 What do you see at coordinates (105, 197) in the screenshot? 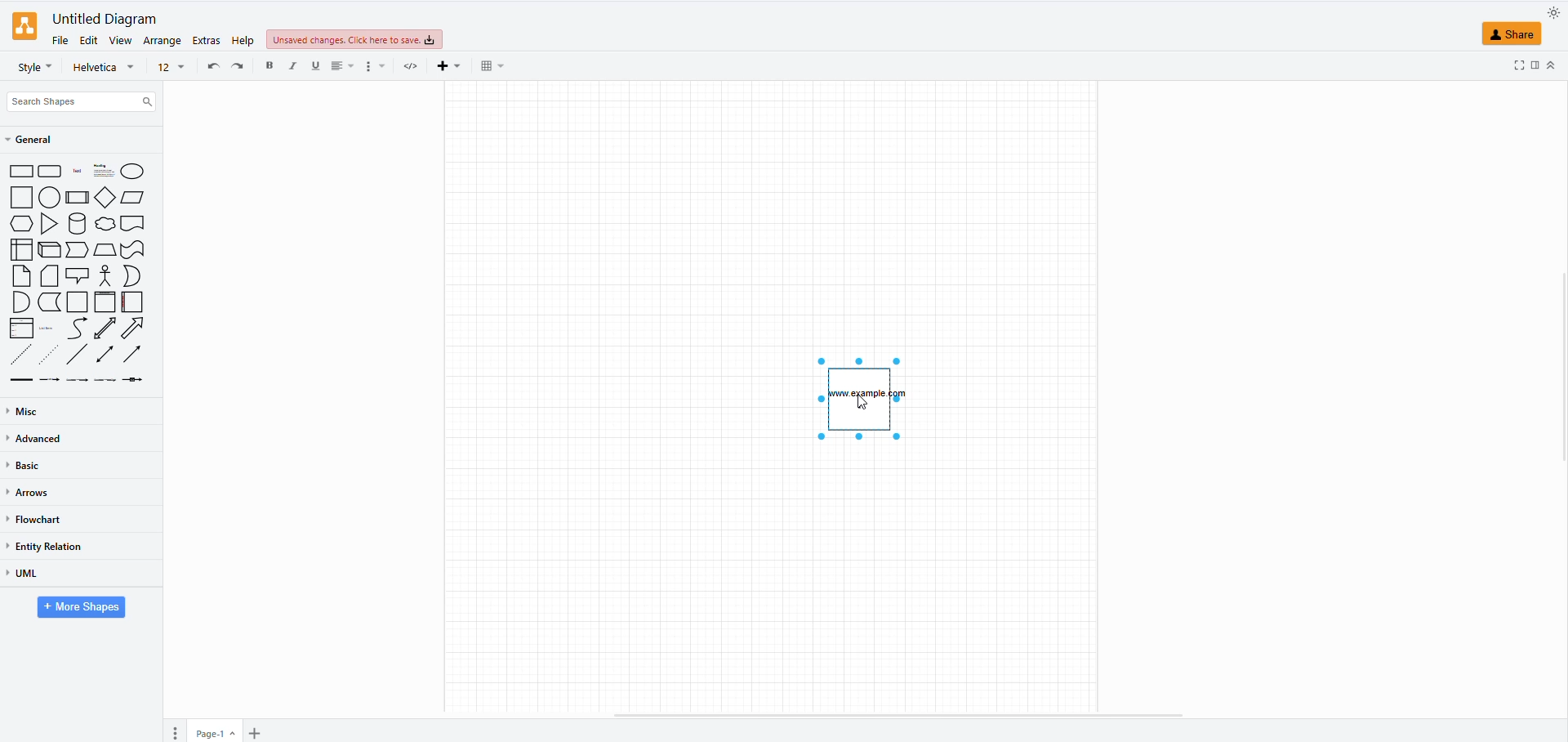
I see `diamond` at bounding box center [105, 197].